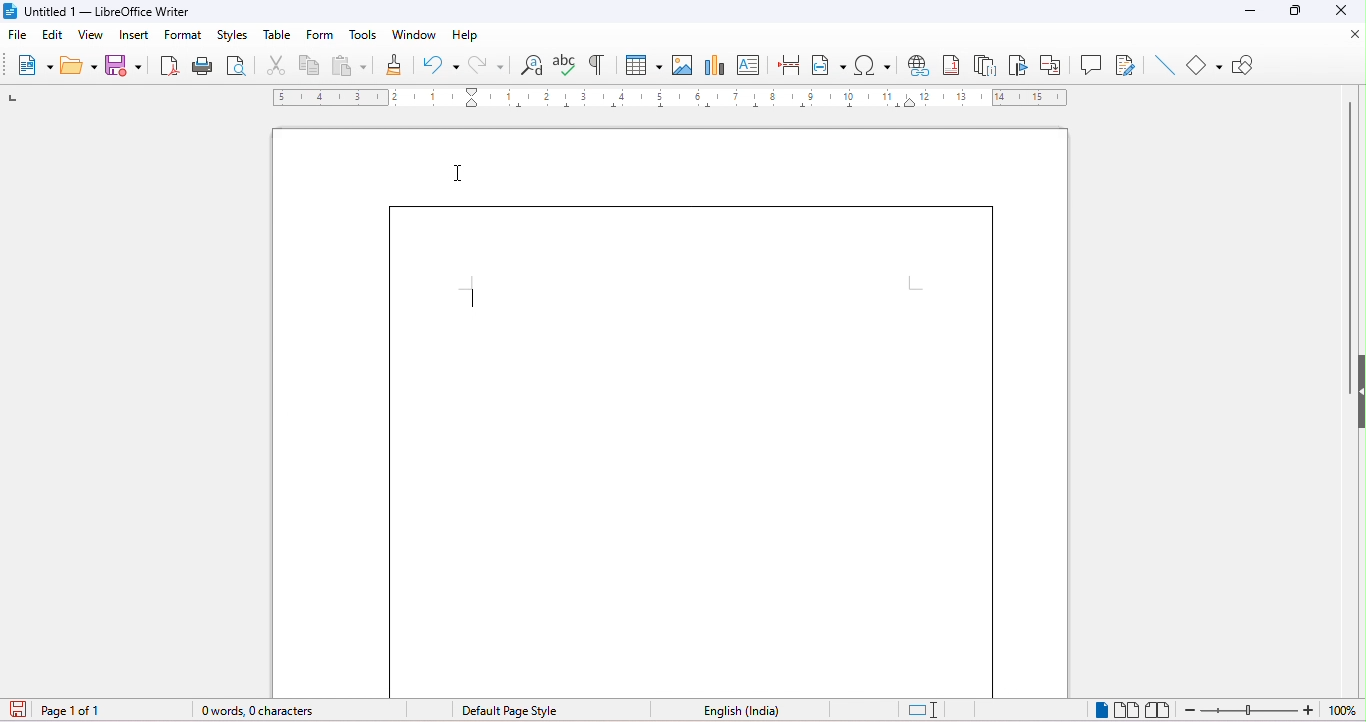 This screenshot has height=722, width=1366. Describe the element at coordinates (167, 66) in the screenshot. I see `export direct as pdf` at that location.